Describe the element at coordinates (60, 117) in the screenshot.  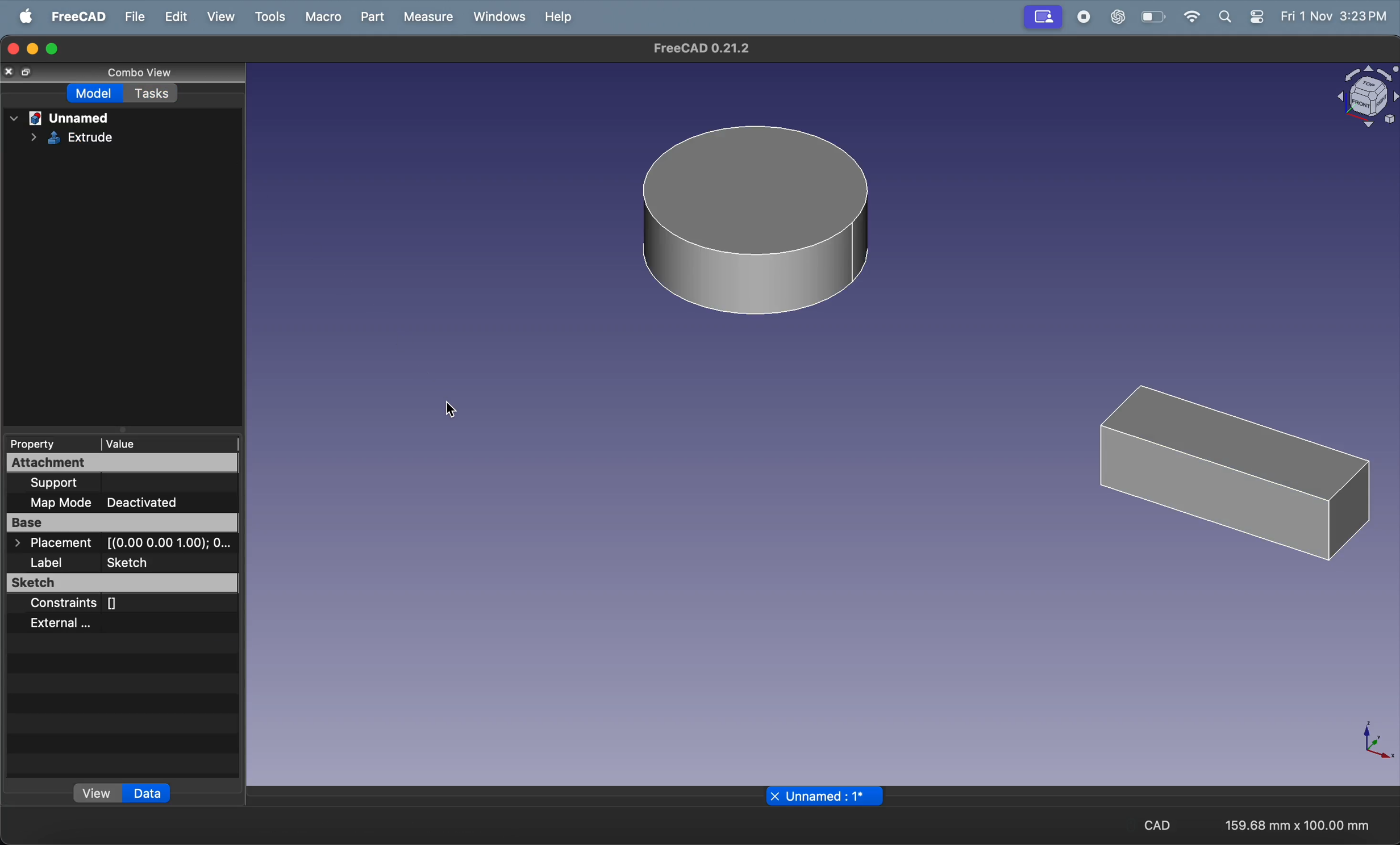
I see `Unnamed` at that location.